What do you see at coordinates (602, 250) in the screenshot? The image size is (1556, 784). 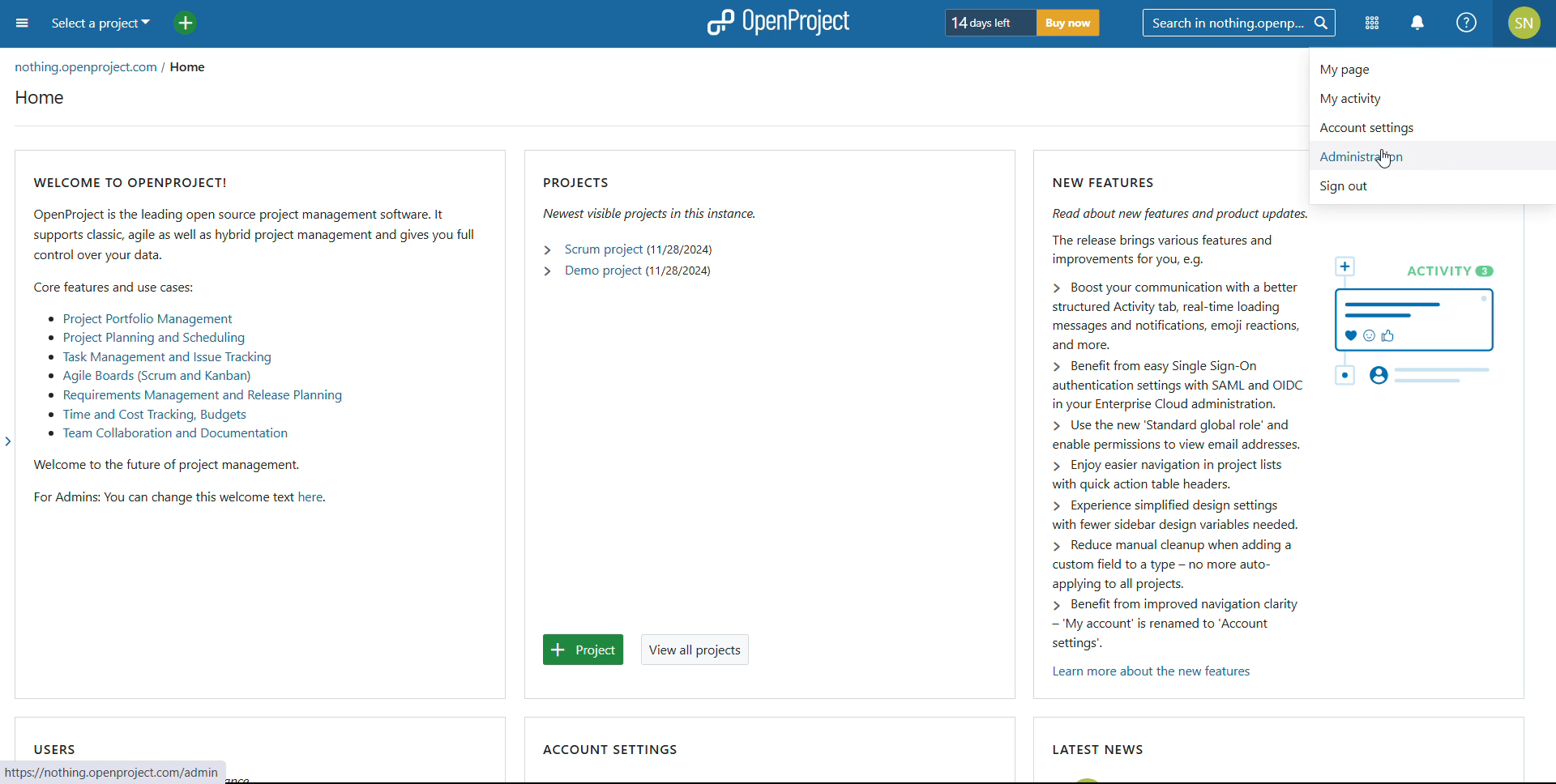 I see `scrum project` at bounding box center [602, 250].